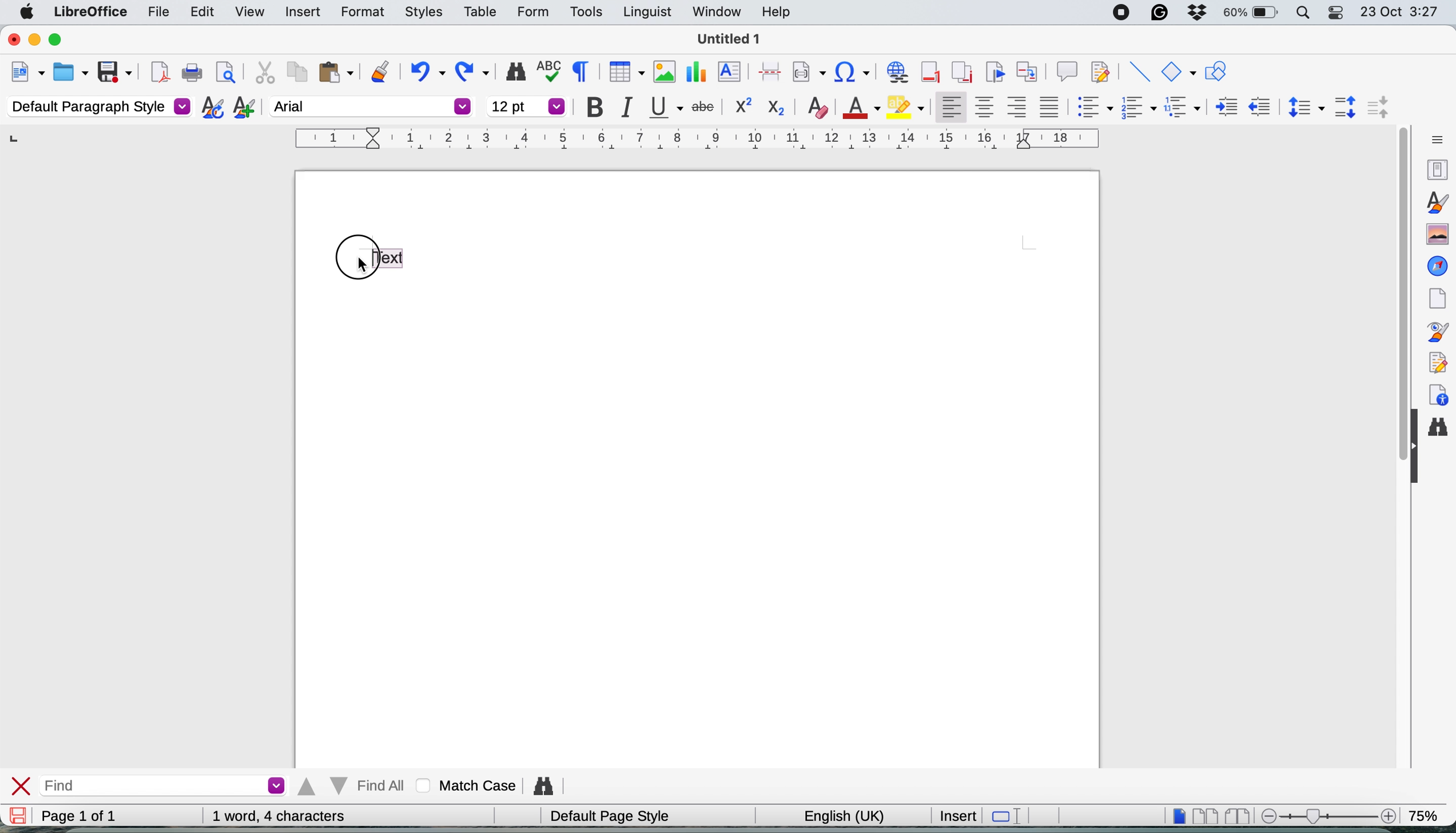 The image size is (1456, 833). Describe the element at coordinates (929, 72) in the screenshot. I see `insert footnote` at that location.